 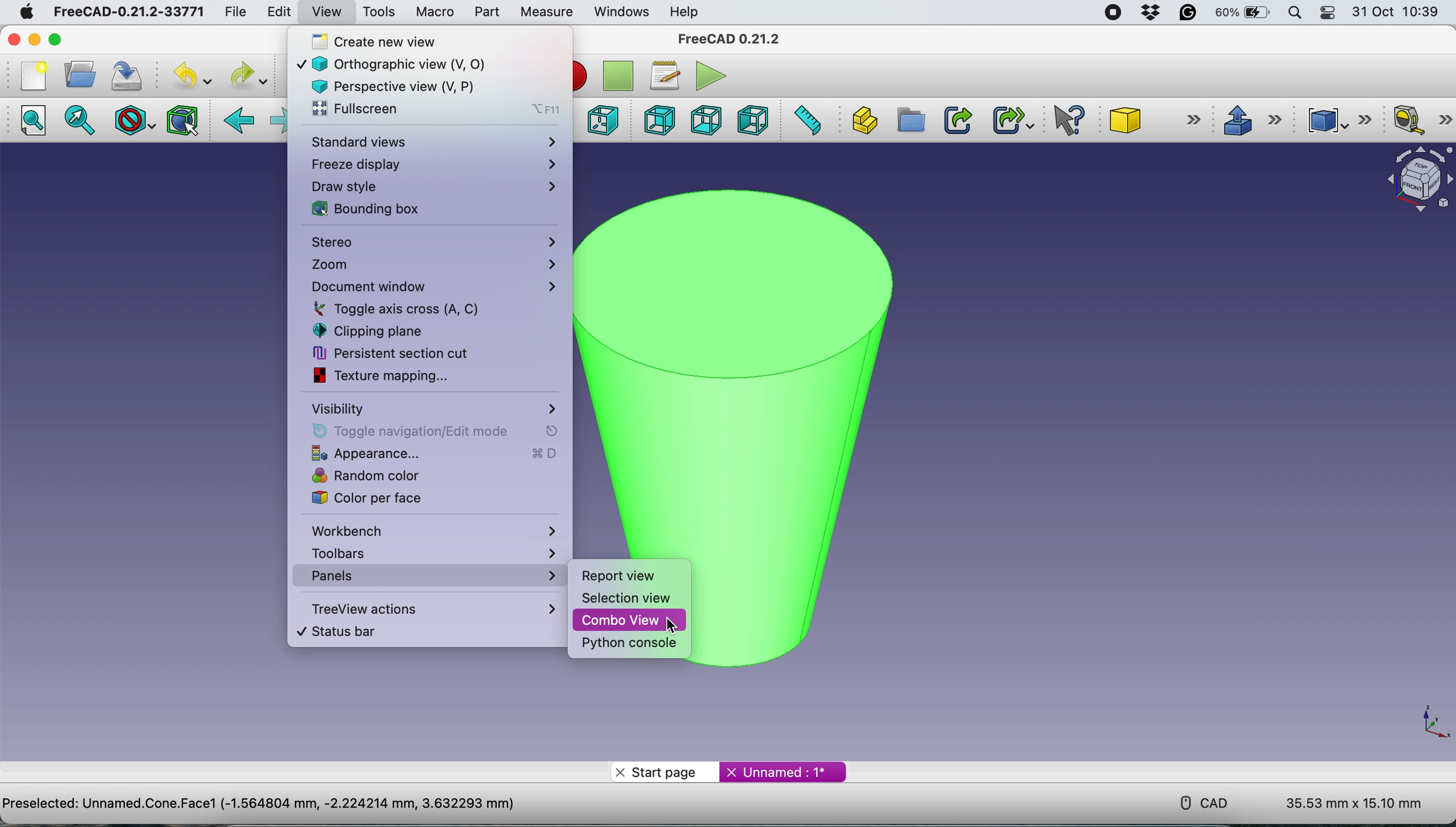 What do you see at coordinates (431, 287) in the screenshot?
I see `document window ` at bounding box center [431, 287].